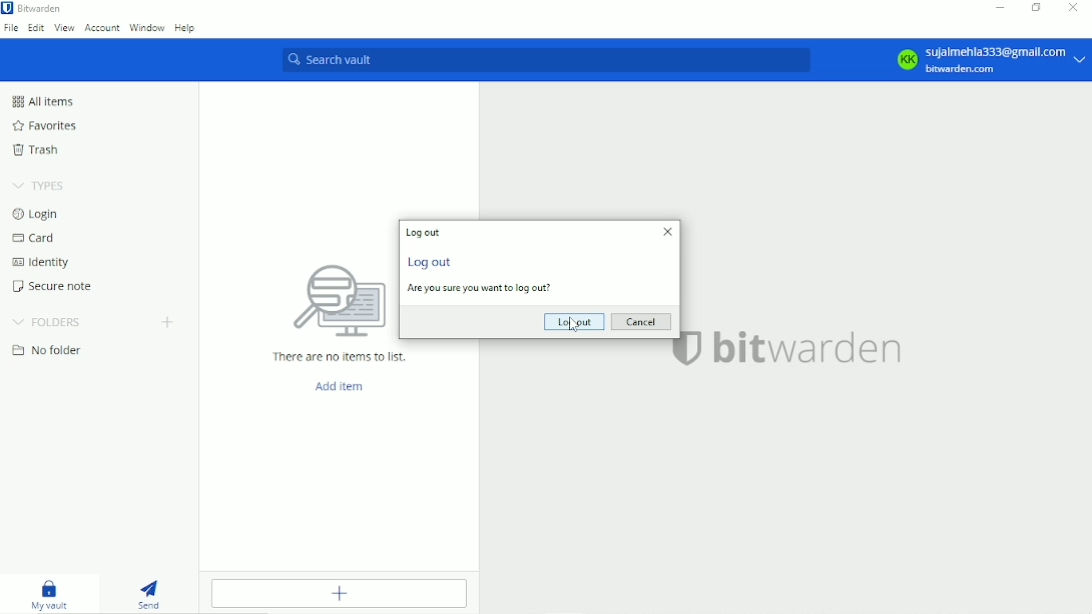 This screenshot has height=614, width=1092. Describe the element at coordinates (667, 232) in the screenshot. I see `close` at that location.